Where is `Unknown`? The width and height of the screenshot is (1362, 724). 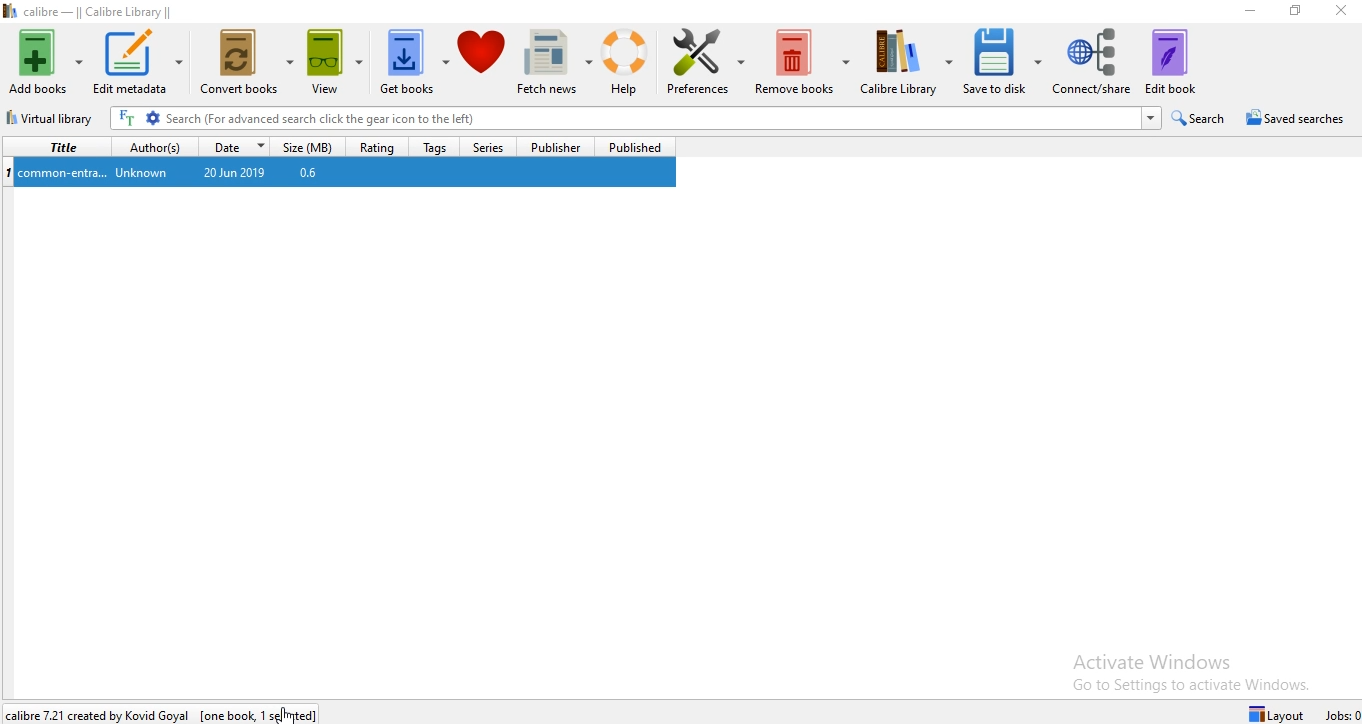
Unknown is located at coordinates (139, 173).